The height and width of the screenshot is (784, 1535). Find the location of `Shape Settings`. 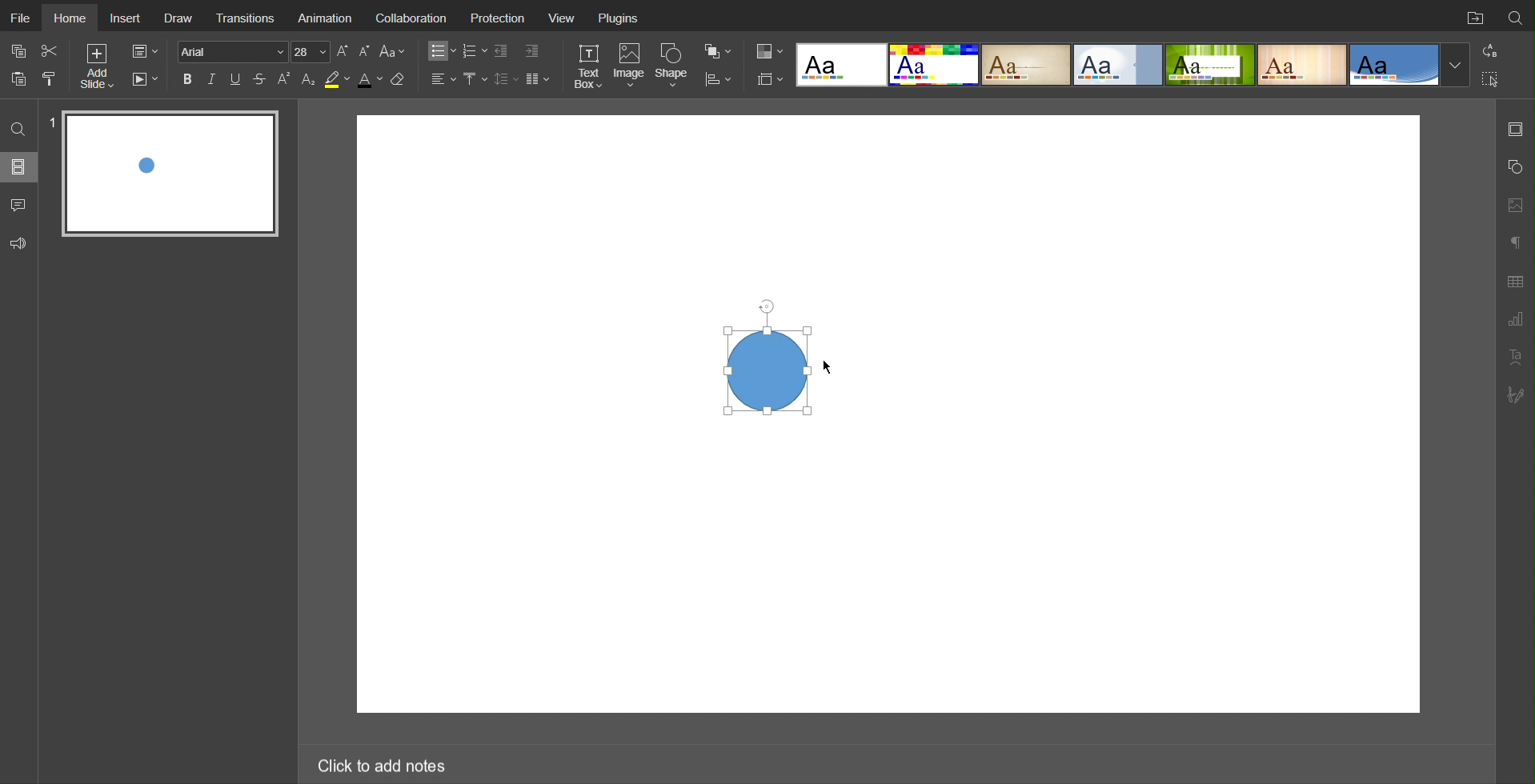

Shape Settings is located at coordinates (1514, 167).